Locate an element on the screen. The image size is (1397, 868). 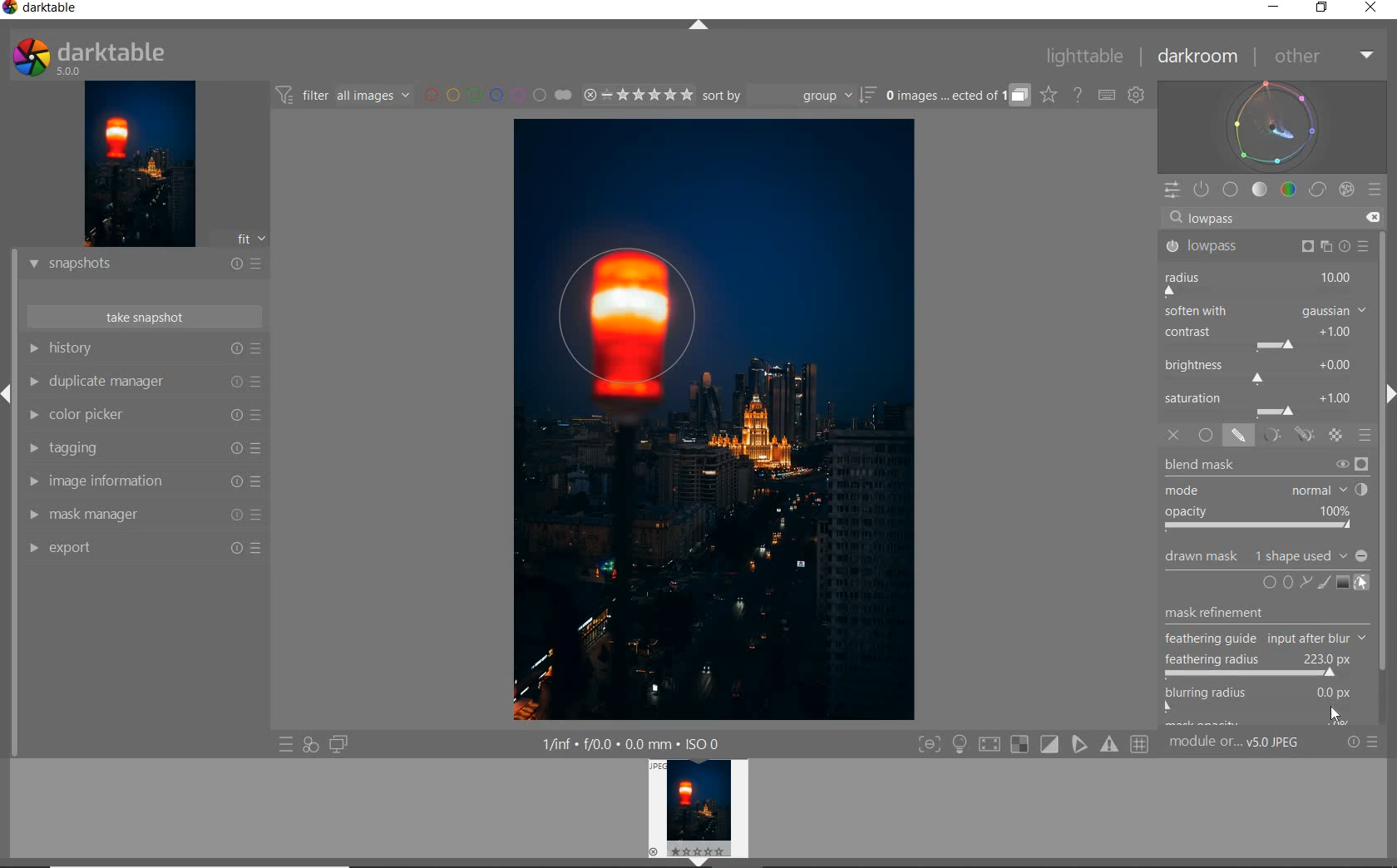
FILTER BY IMAGE COLOR LABEL is located at coordinates (498, 96).